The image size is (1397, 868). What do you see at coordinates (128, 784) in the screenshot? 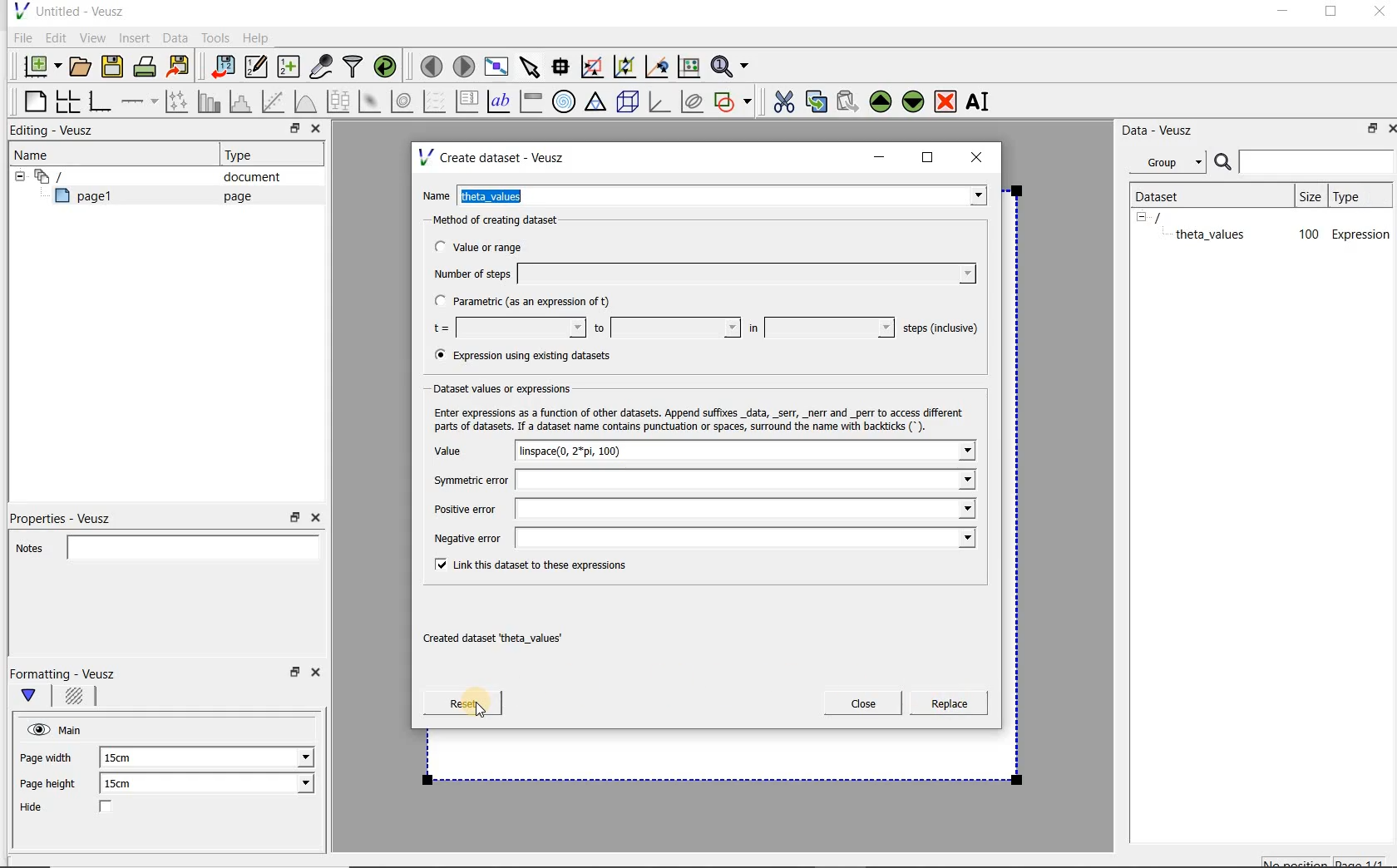
I see `15cm` at bounding box center [128, 784].